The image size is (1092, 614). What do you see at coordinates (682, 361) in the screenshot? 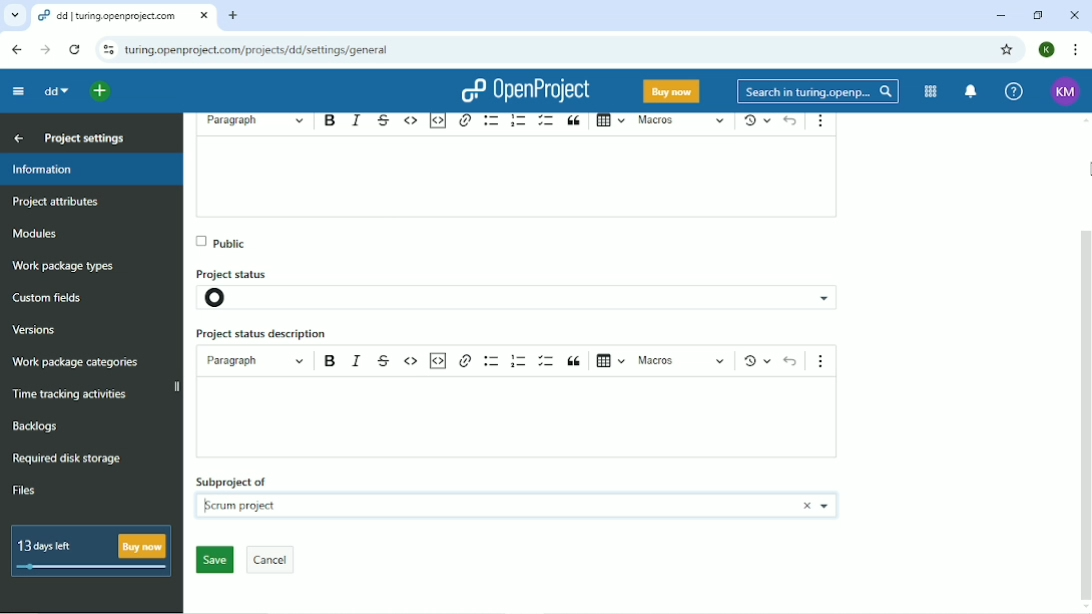
I see `Macros` at bounding box center [682, 361].